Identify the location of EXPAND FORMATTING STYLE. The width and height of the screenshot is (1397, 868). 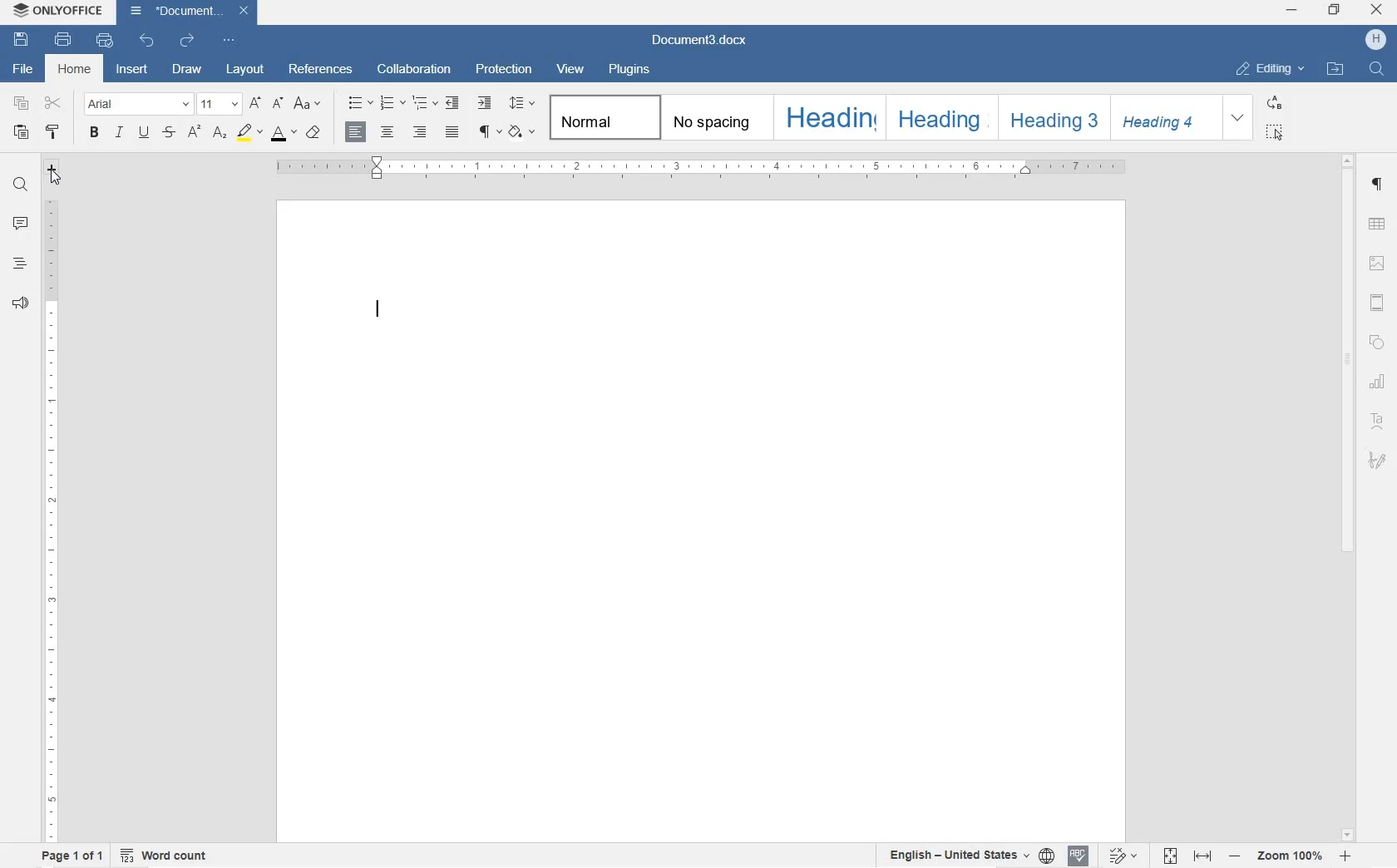
(1239, 118).